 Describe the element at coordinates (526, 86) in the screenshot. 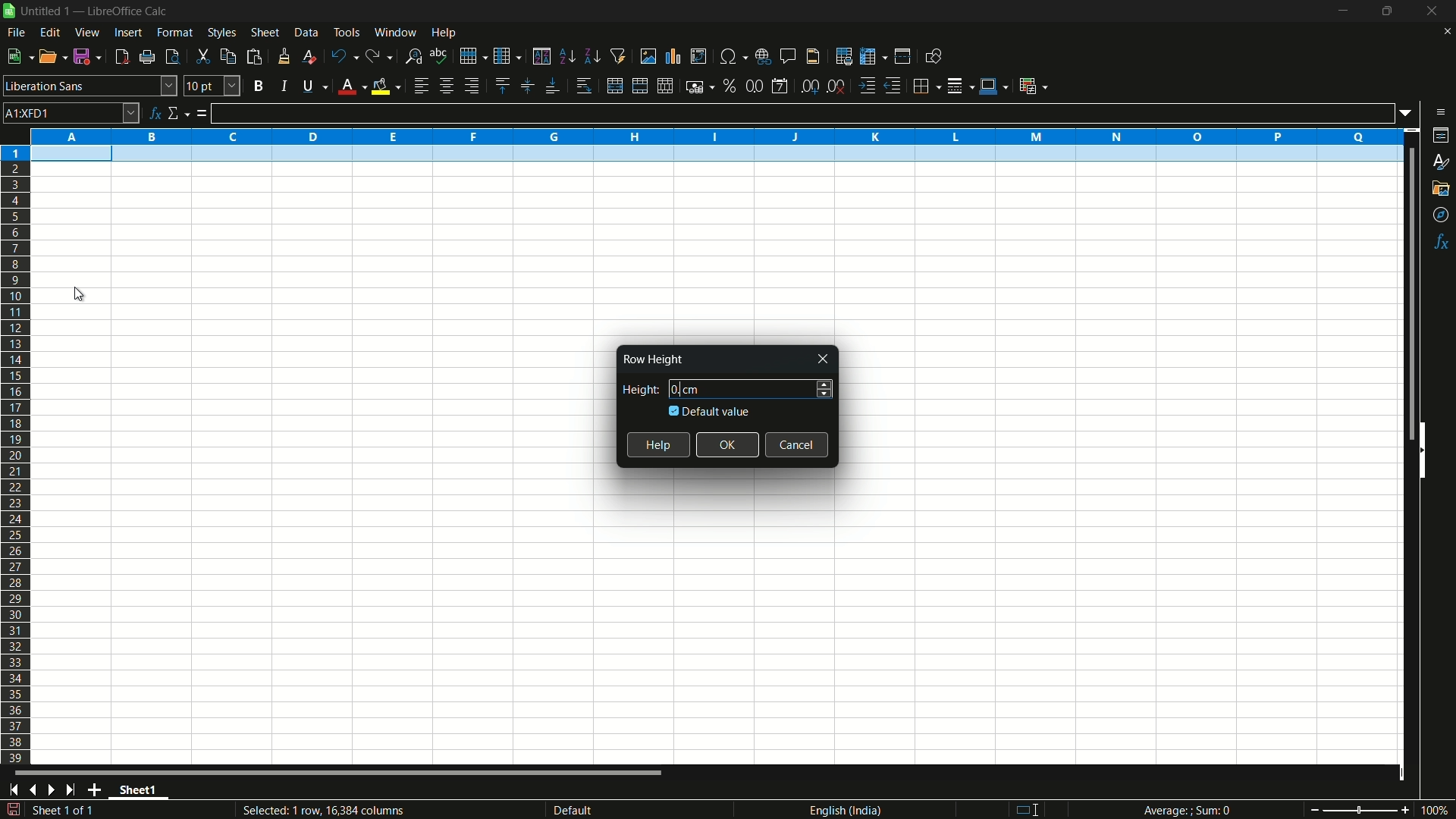

I see `center vertically` at that location.